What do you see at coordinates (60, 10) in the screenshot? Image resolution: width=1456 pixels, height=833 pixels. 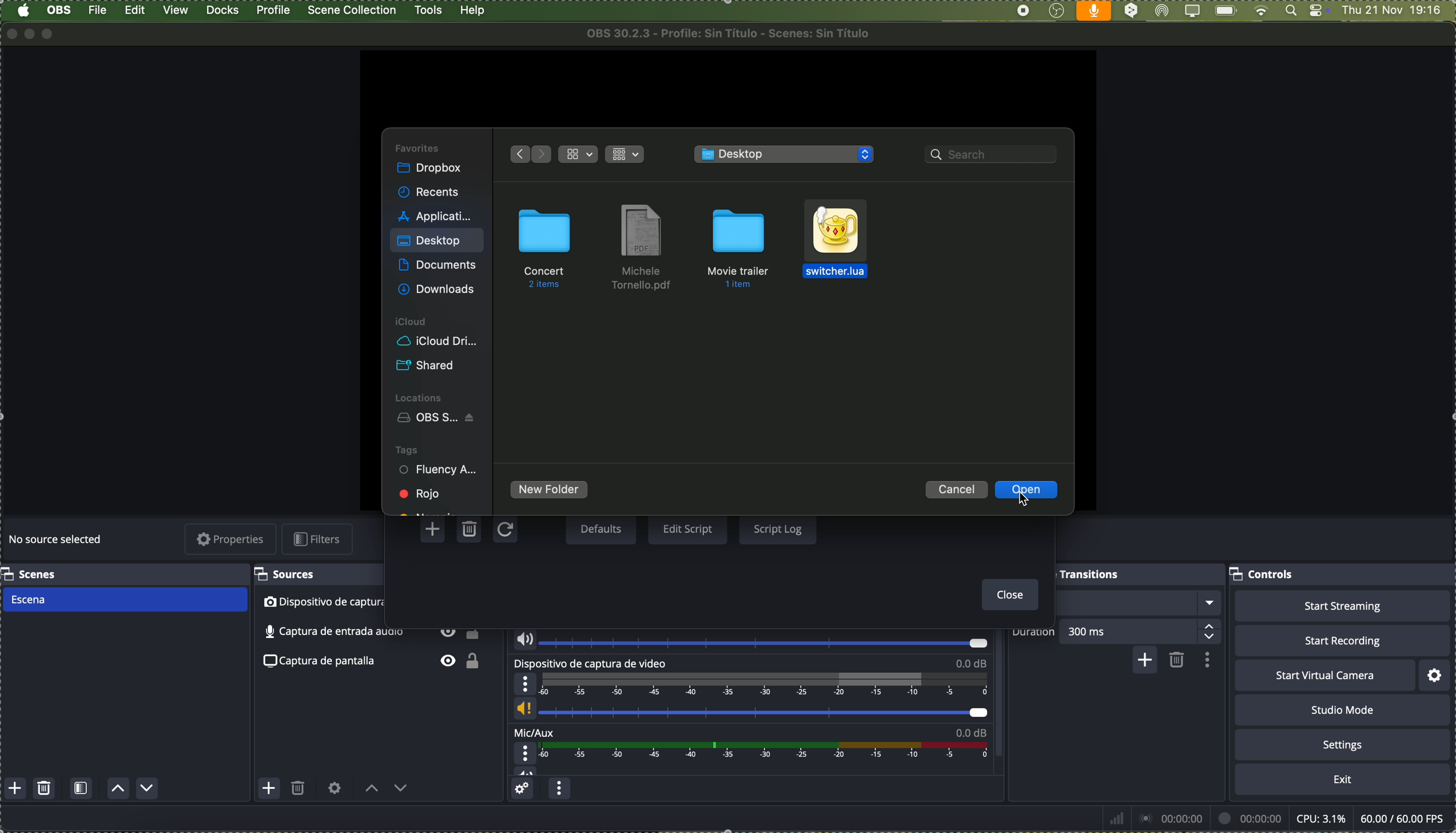 I see `OBS` at bounding box center [60, 10].